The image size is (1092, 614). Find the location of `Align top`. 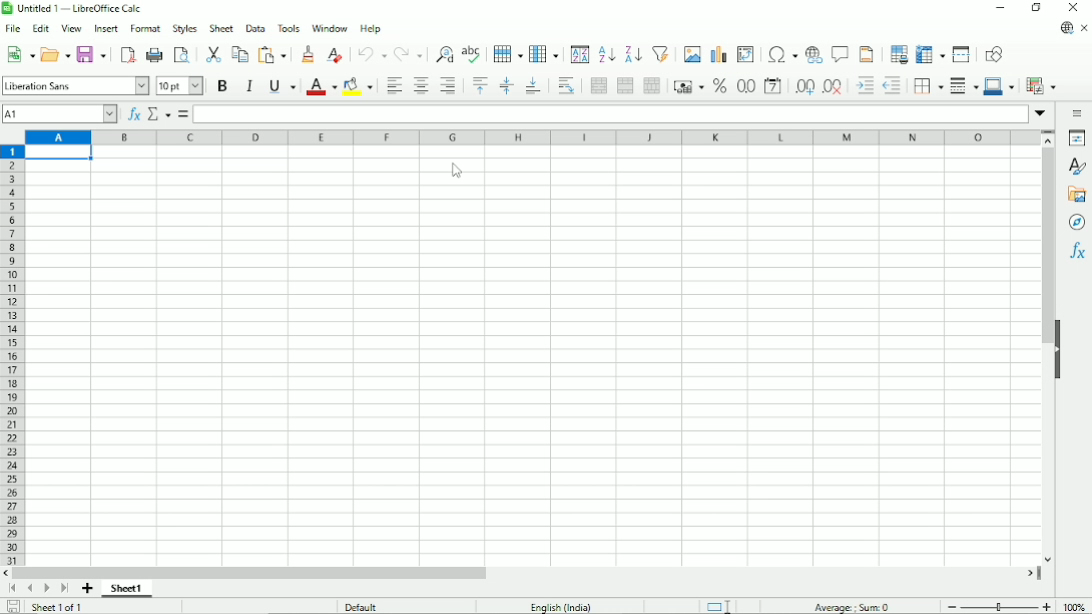

Align top is located at coordinates (480, 86).